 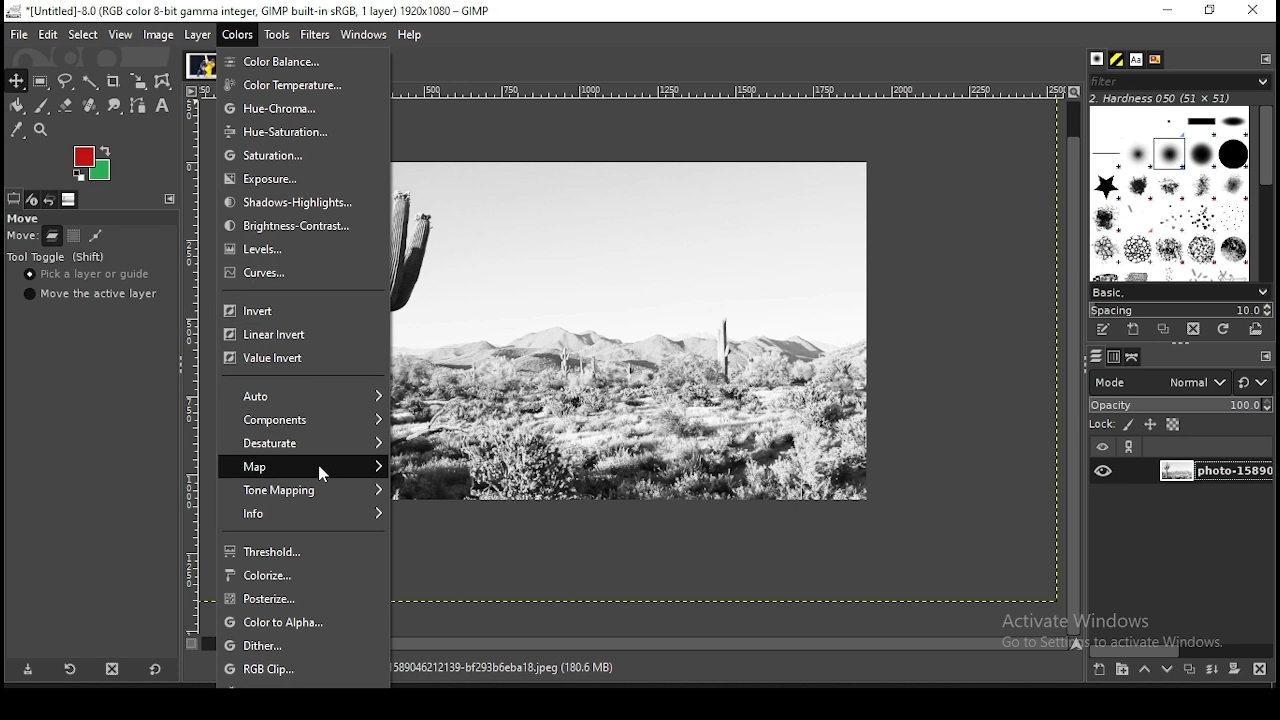 What do you see at coordinates (295, 311) in the screenshot?
I see `invert` at bounding box center [295, 311].